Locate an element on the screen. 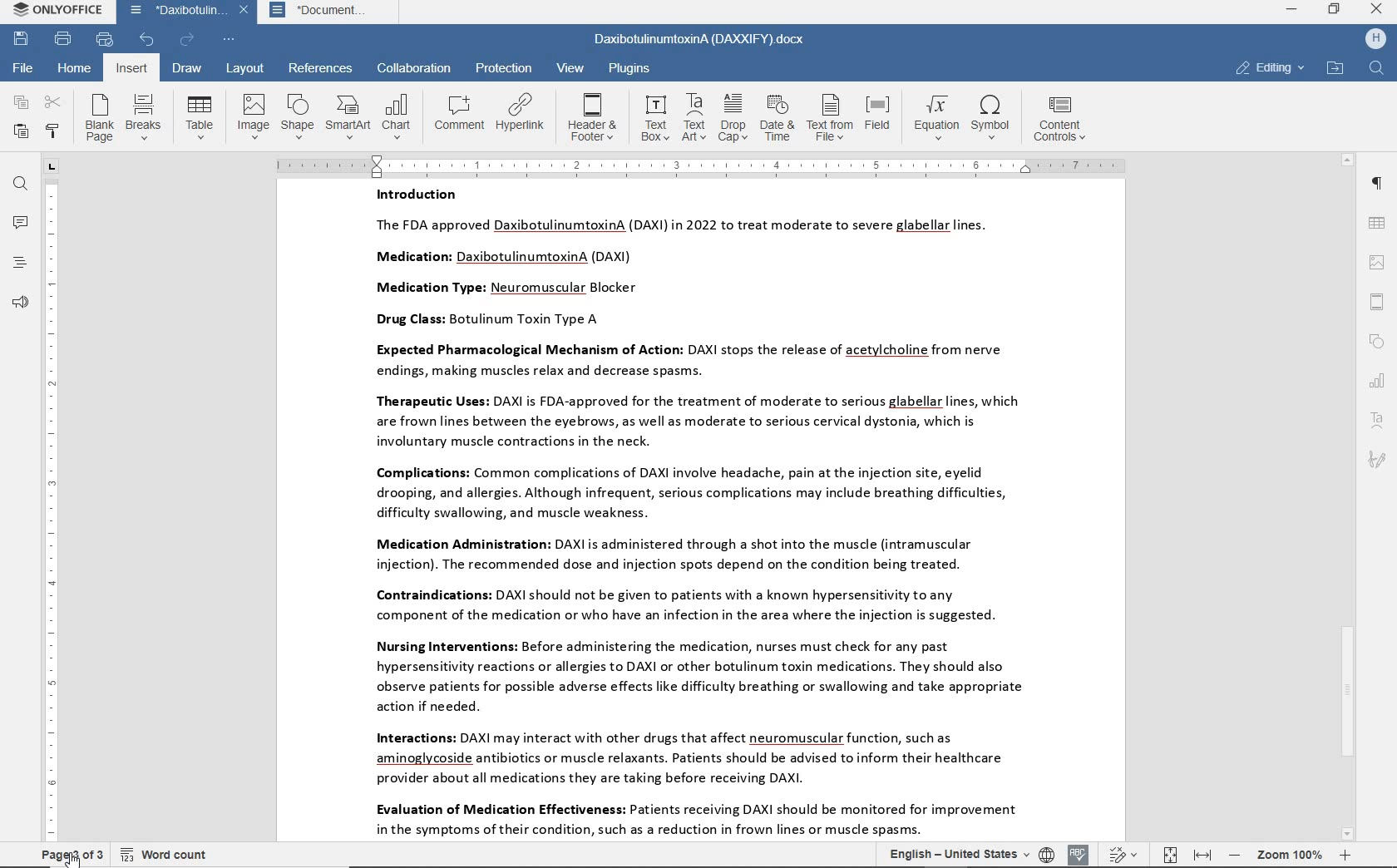 This screenshot has height=868, width=1397. support & feedback is located at coordinates (21, 302).